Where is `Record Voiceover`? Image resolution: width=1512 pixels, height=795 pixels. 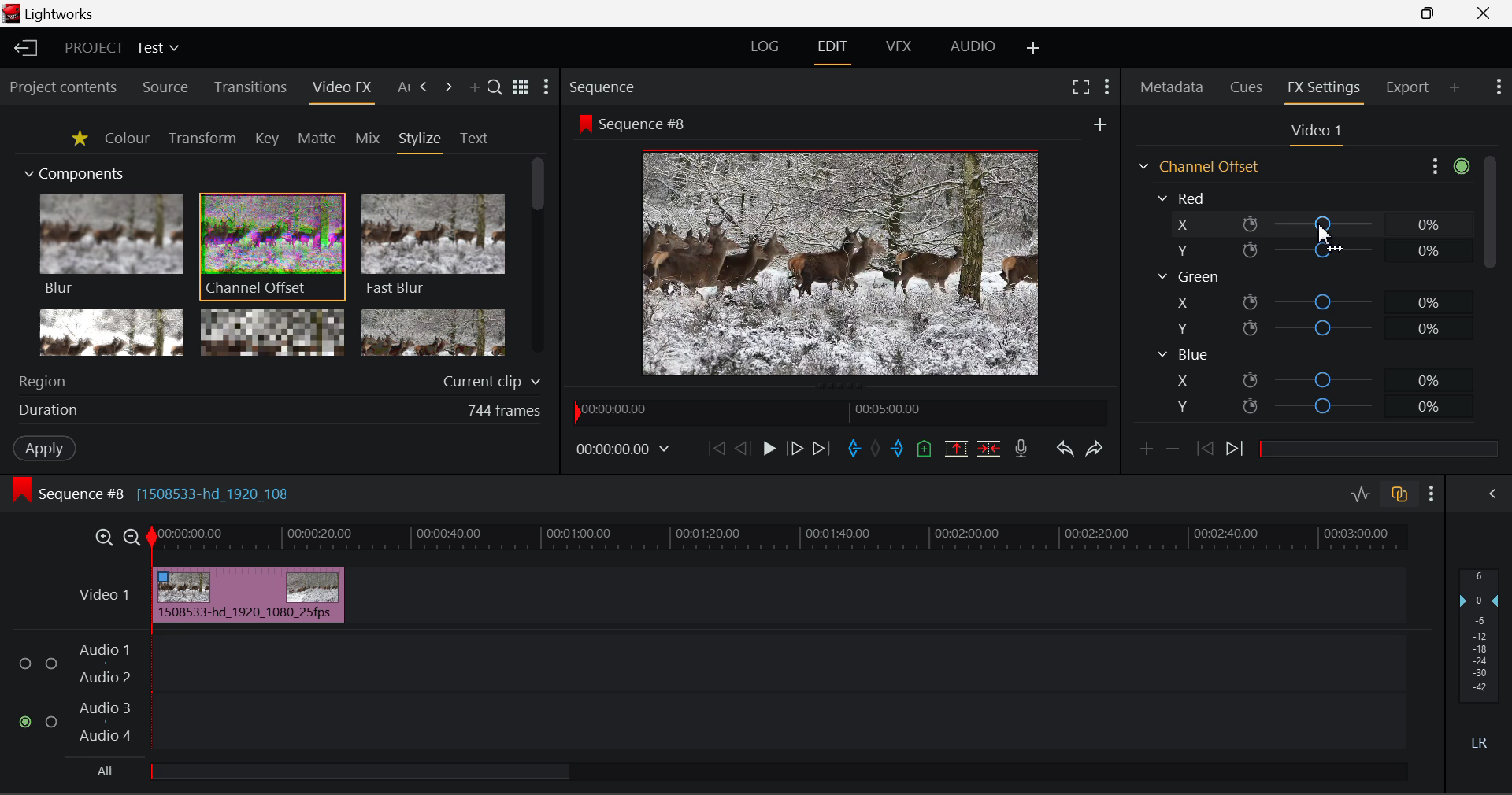
Record Voiceover is located at coordinates (1021, 450).